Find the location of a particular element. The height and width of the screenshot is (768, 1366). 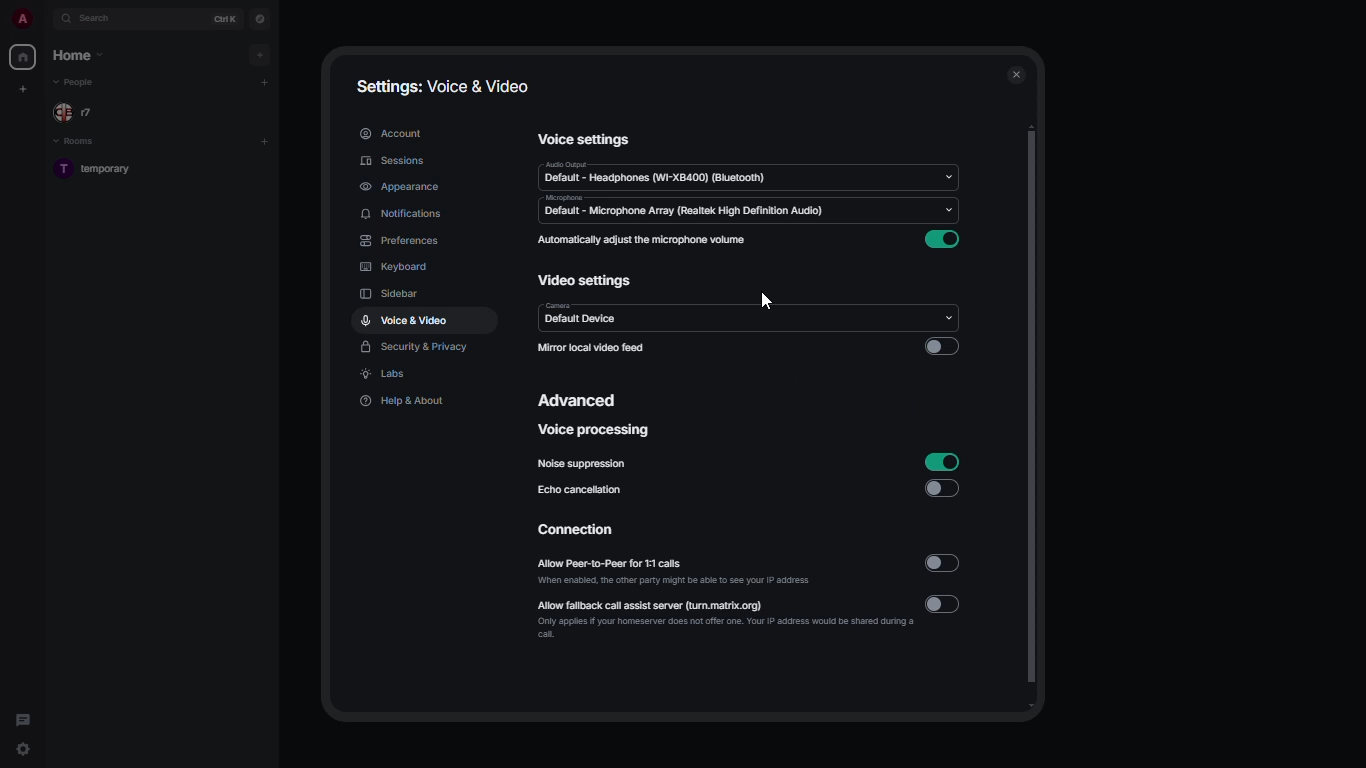

labs is located at coordinates (386, 376).